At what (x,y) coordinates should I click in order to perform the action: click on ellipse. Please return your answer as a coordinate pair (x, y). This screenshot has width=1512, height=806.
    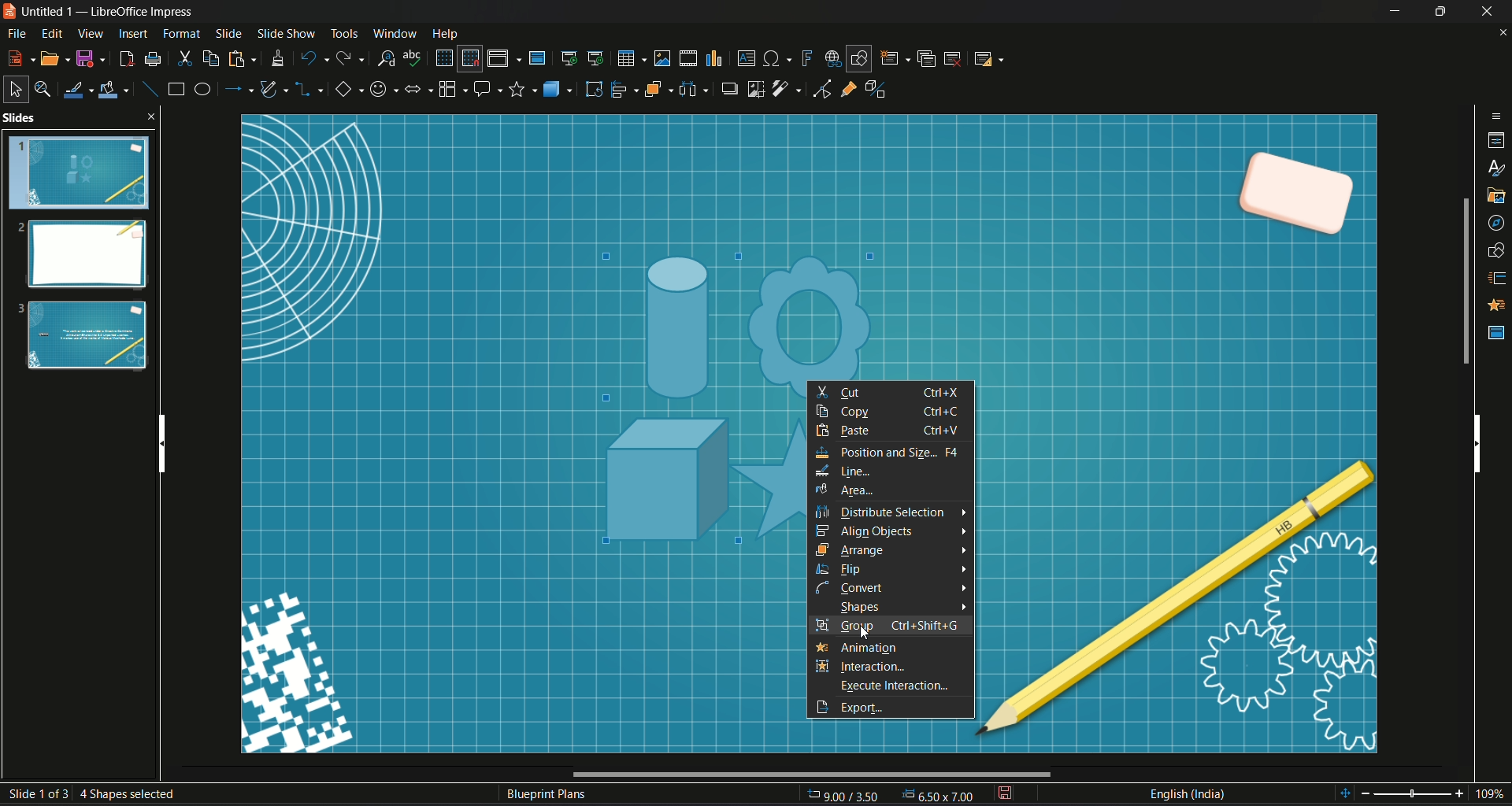
    Looking at the image, I should click on (201, 88).